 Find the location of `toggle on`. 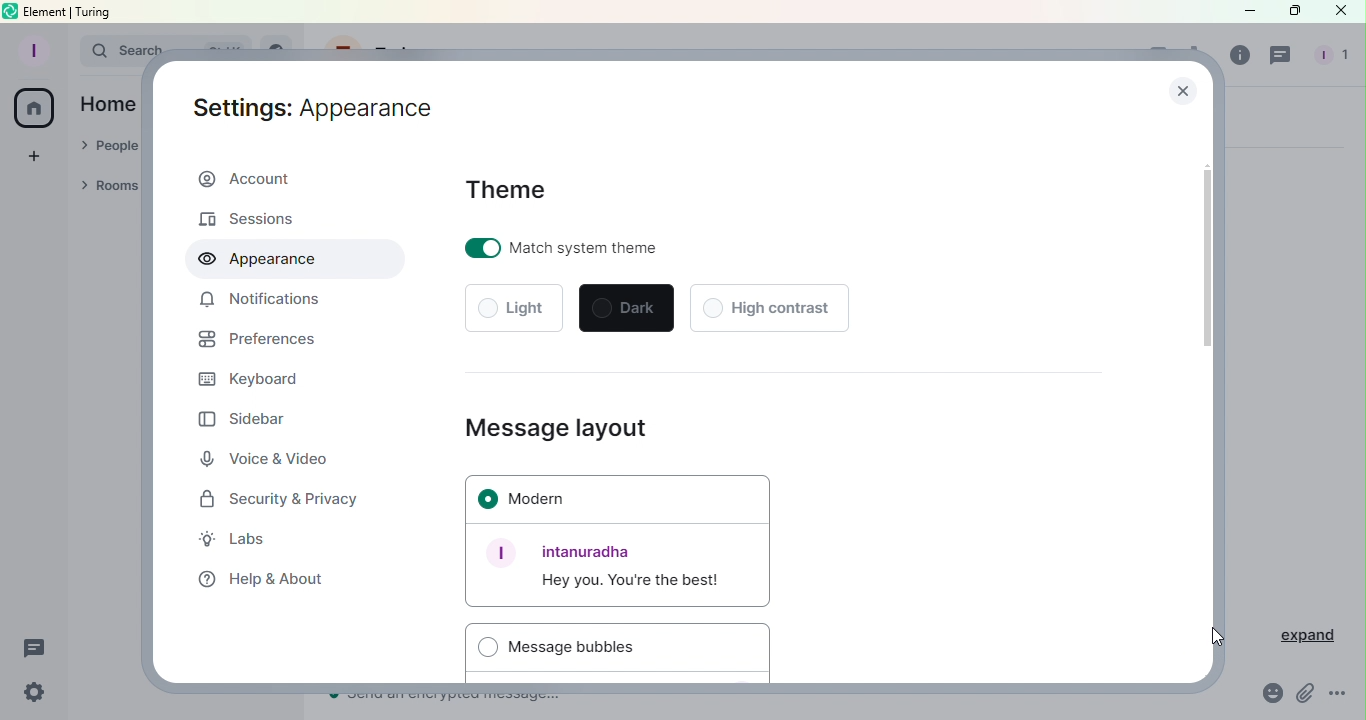

toggle on is located at coordinates (481, 248).